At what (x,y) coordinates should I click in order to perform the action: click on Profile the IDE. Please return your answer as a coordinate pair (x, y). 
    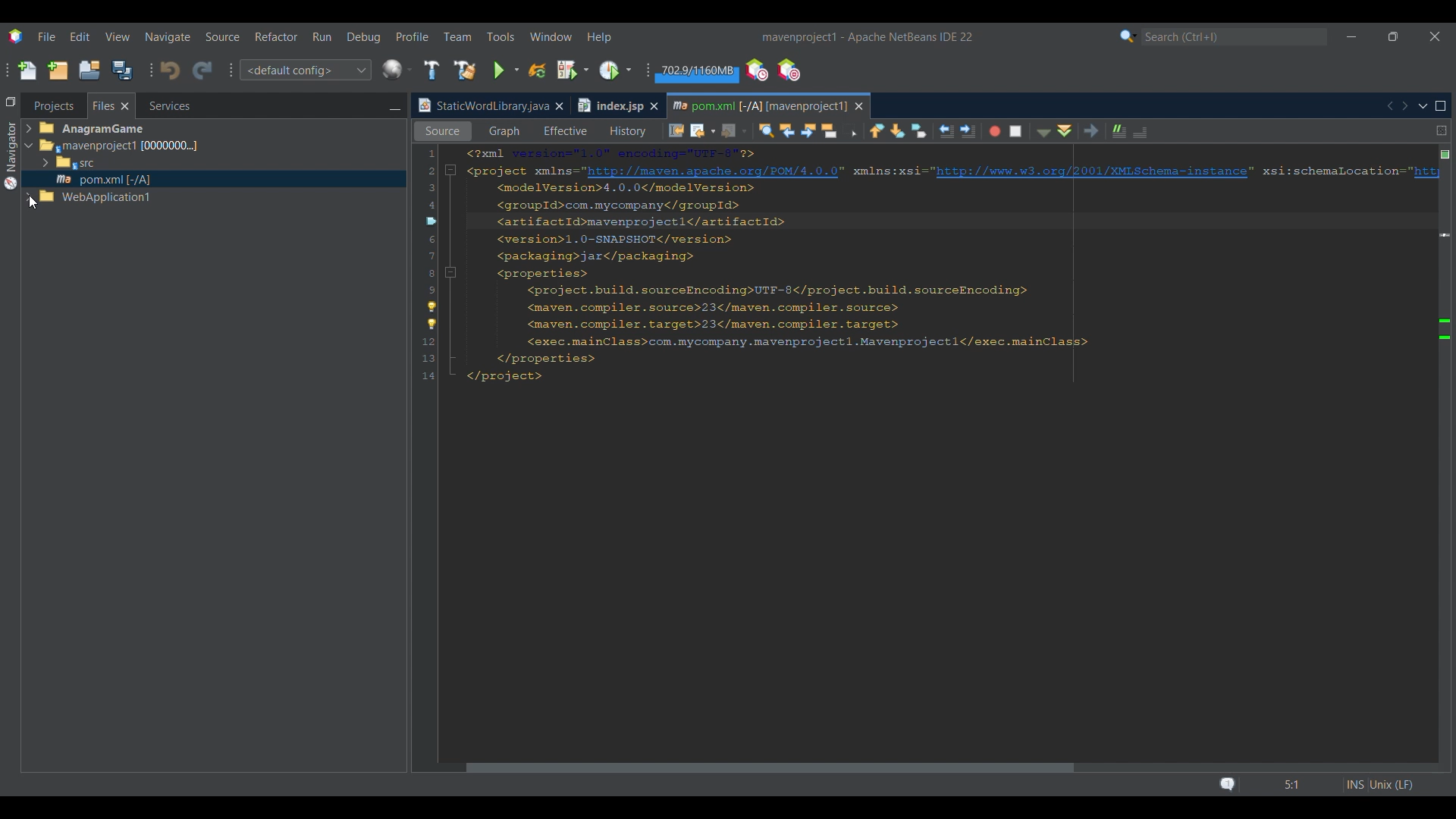
    Looking at the image, I should click on (758, 71).